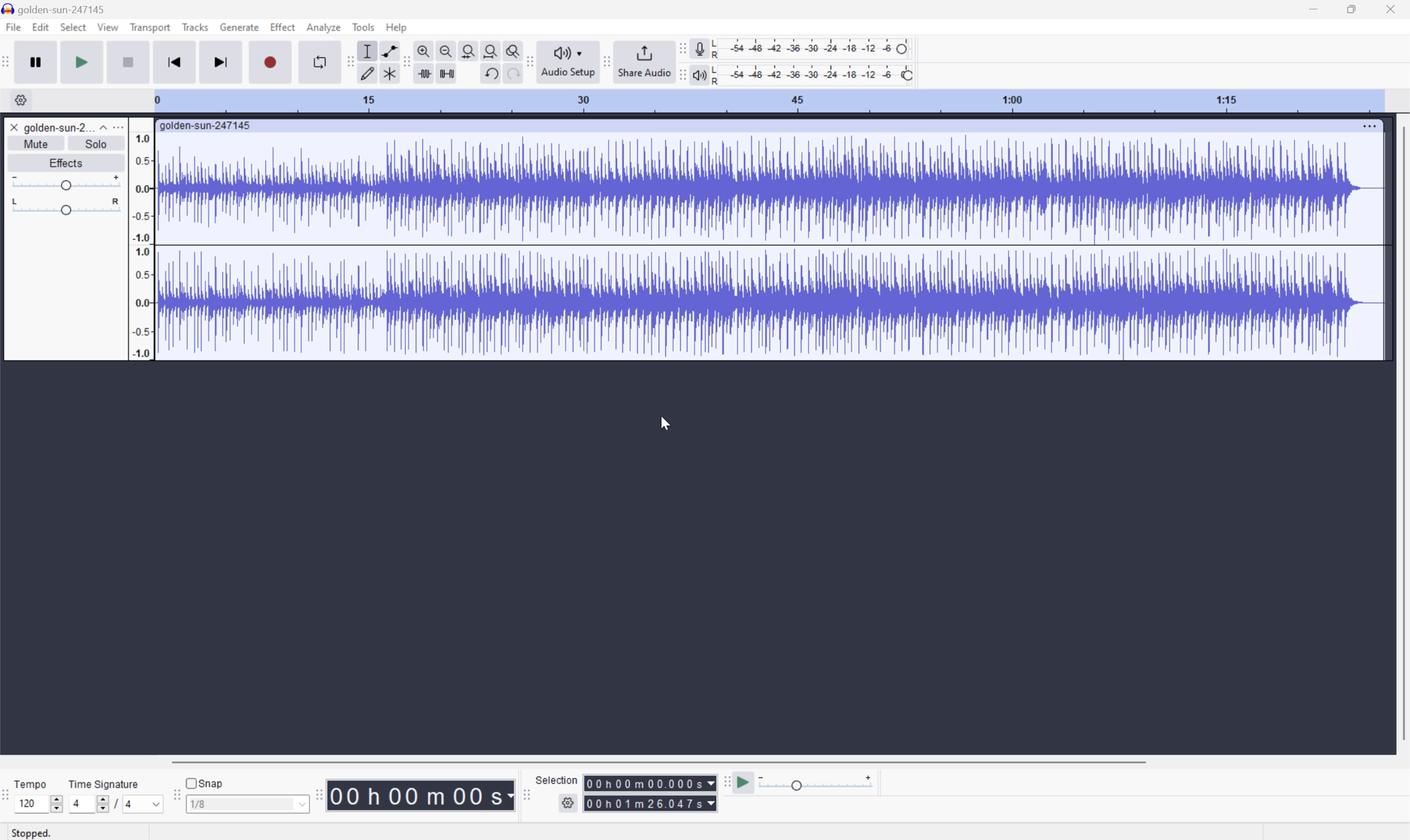 Image resolution: width=1410 pixels, height=840 pixels. What do you see at coordinates (746, 781) in the screenshot?
I see `Play at speed` at bounding box center [746, 781].